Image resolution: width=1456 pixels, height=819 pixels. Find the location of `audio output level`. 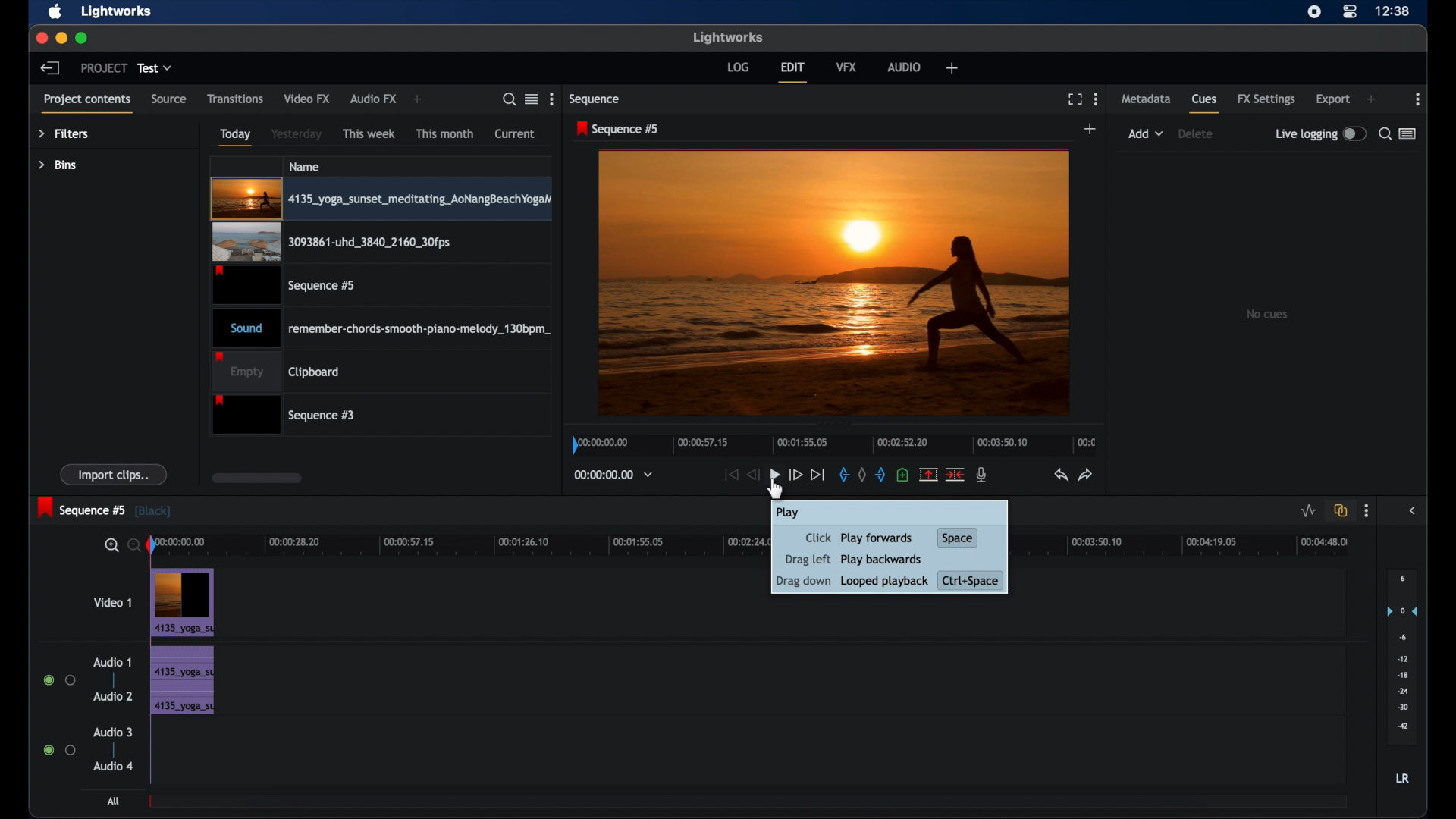

audio output level is located at coordinates (1402, 652).